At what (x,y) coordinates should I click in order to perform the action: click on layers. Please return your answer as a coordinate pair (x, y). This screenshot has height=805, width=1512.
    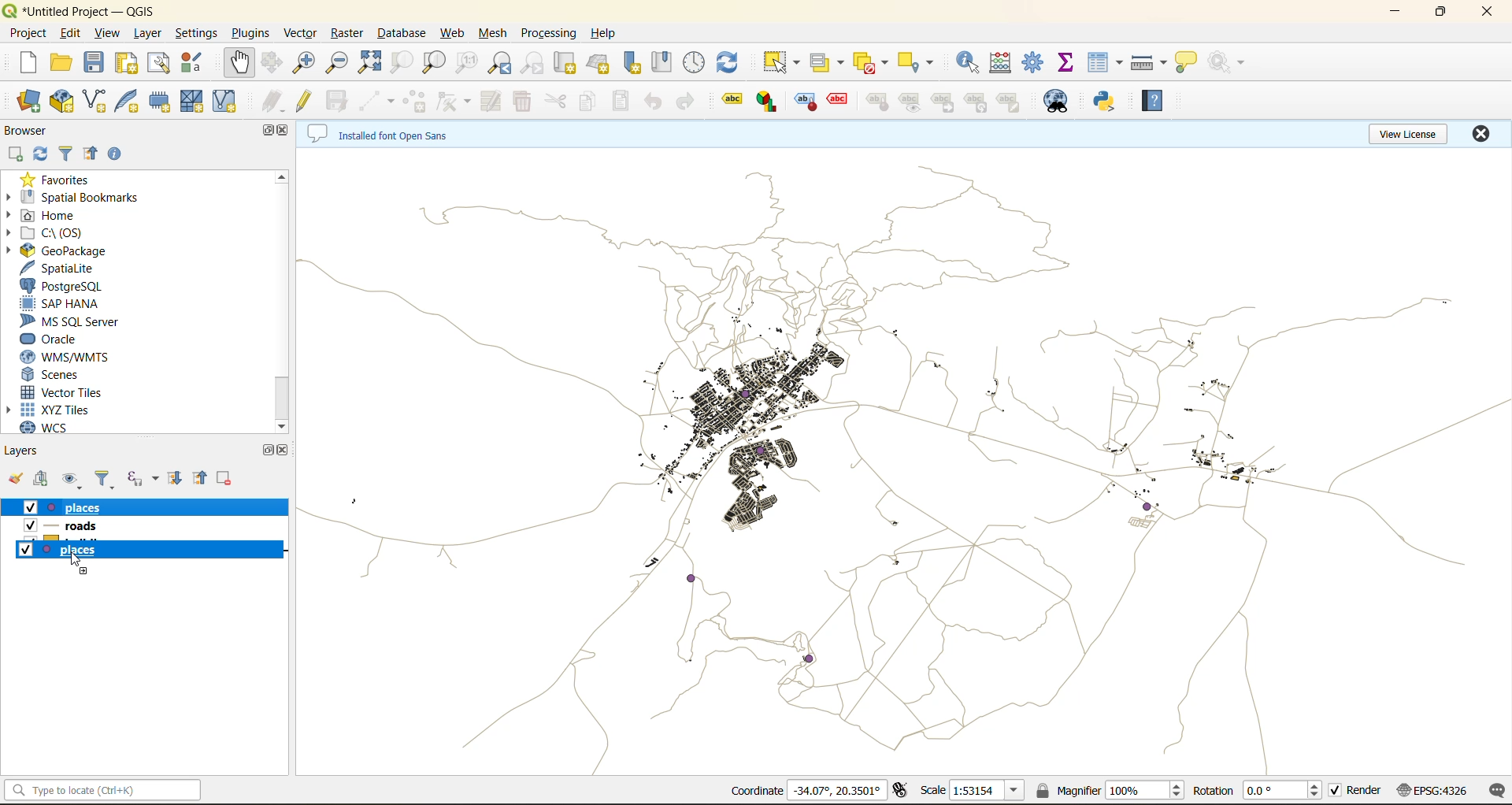
    Looking at the image, I should click on (901, 457).